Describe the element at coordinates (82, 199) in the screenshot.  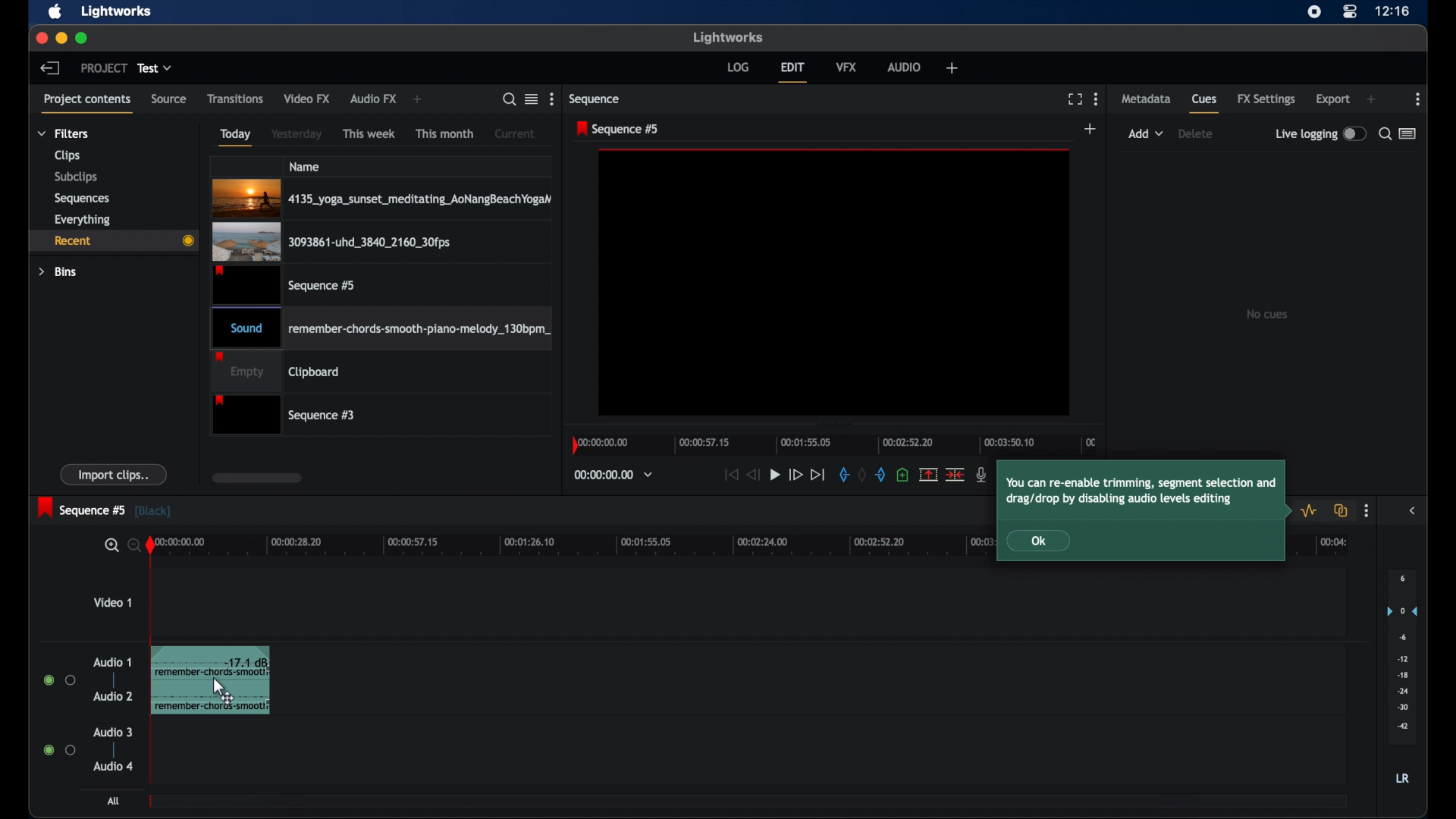
I see `sequencies` at that location.